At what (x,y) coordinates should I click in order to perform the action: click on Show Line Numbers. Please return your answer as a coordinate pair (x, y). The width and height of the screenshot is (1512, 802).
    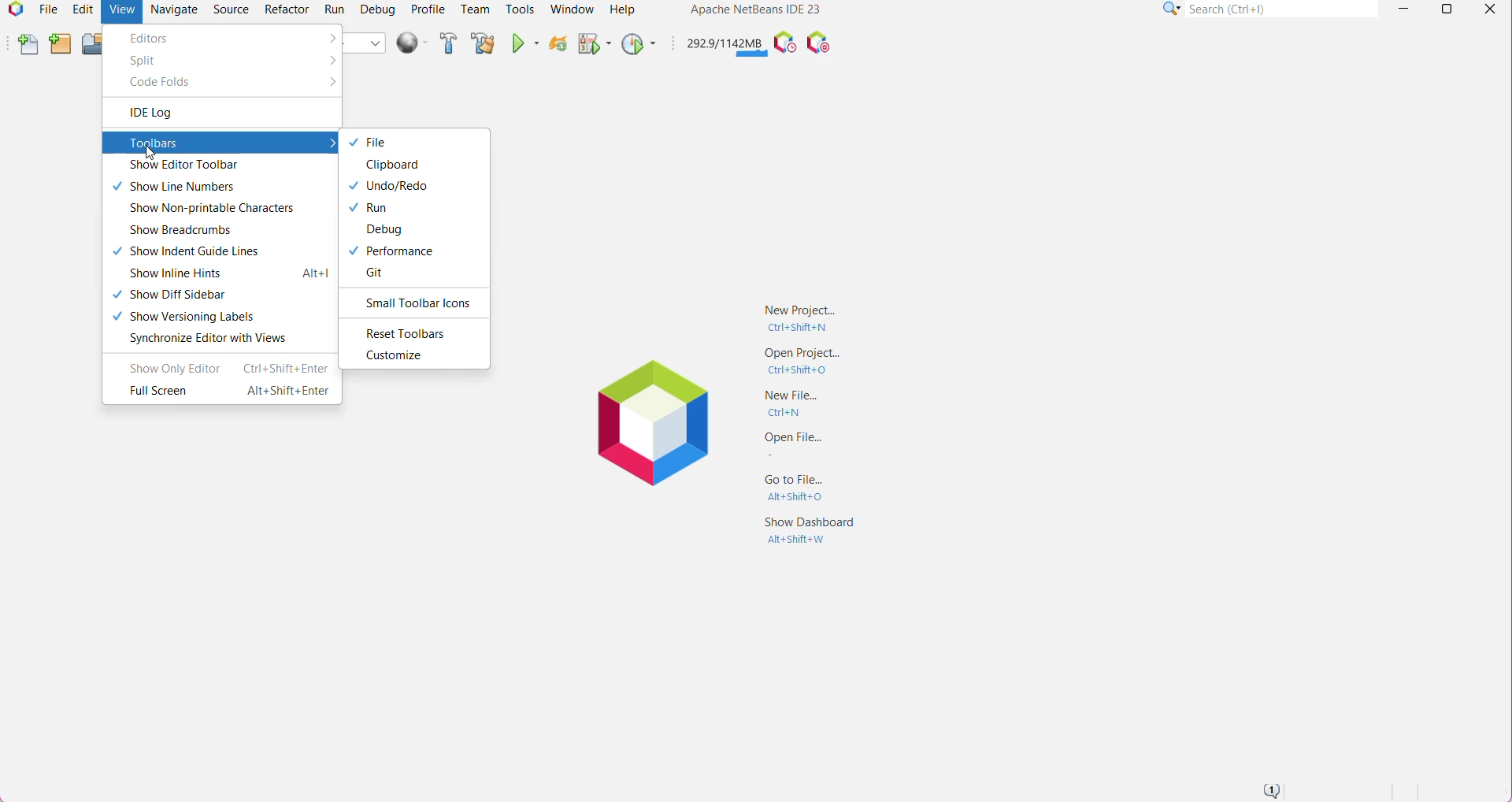
    Looking at the image, I should click on (194, 188).